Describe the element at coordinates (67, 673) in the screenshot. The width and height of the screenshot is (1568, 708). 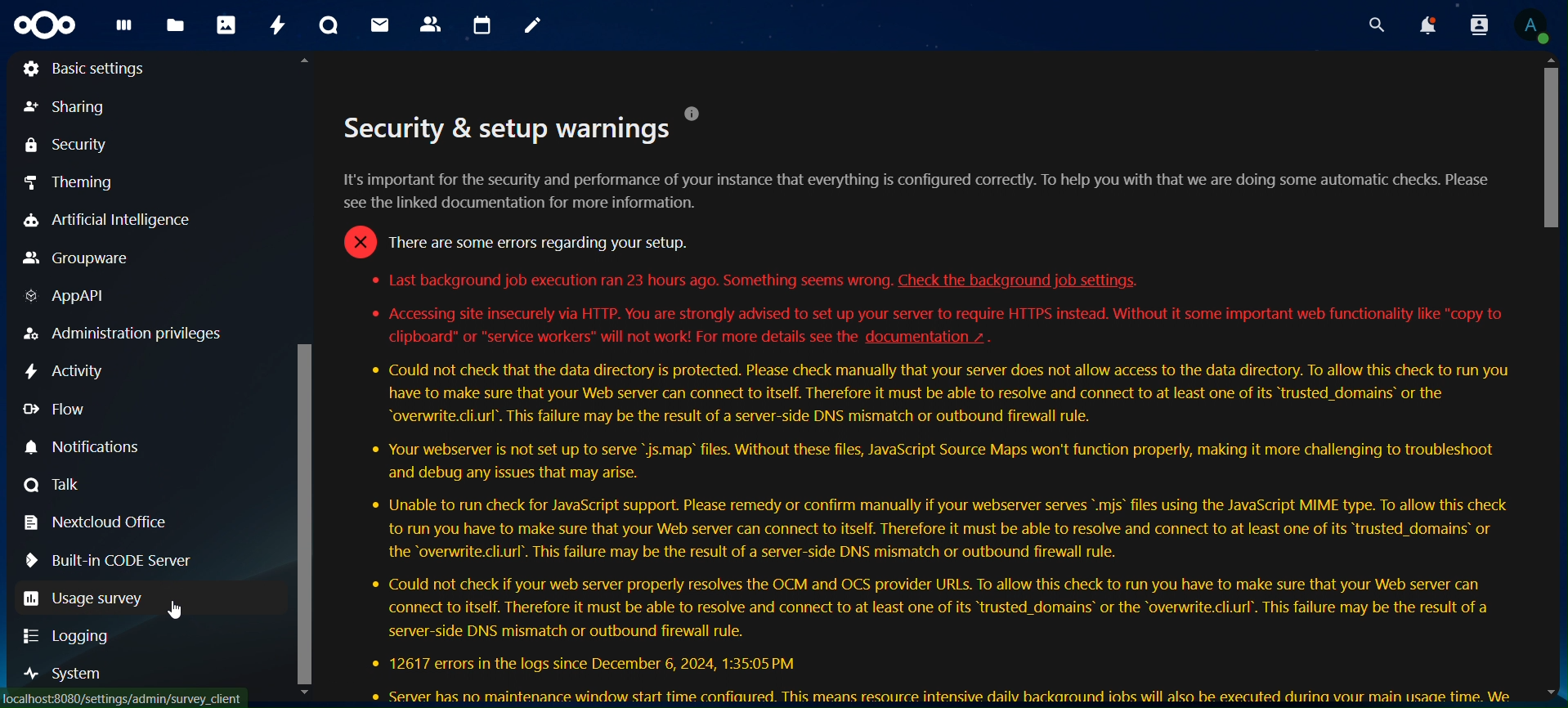
I see `system` at that location.